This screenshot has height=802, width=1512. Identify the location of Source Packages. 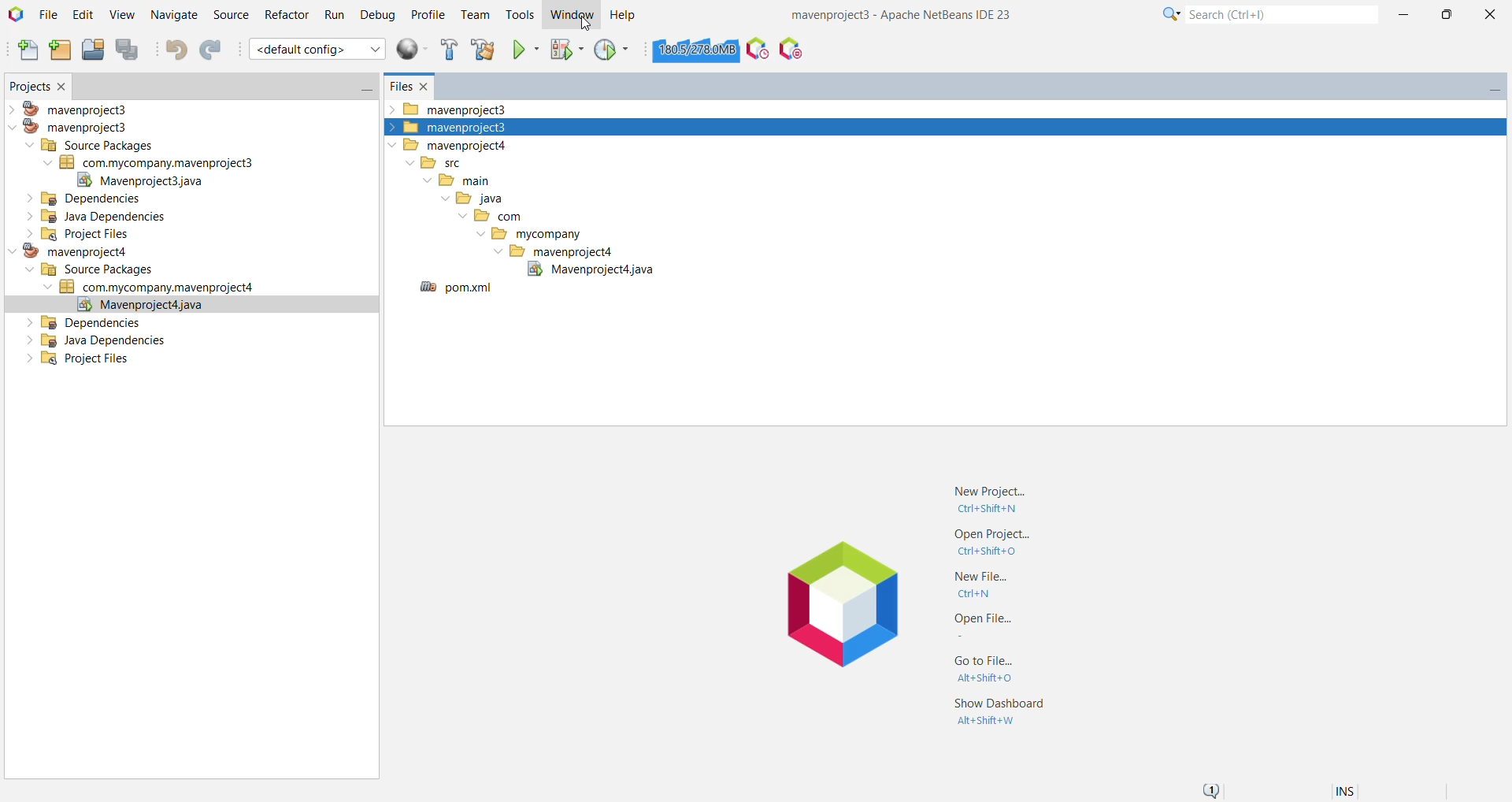
(91, 269).